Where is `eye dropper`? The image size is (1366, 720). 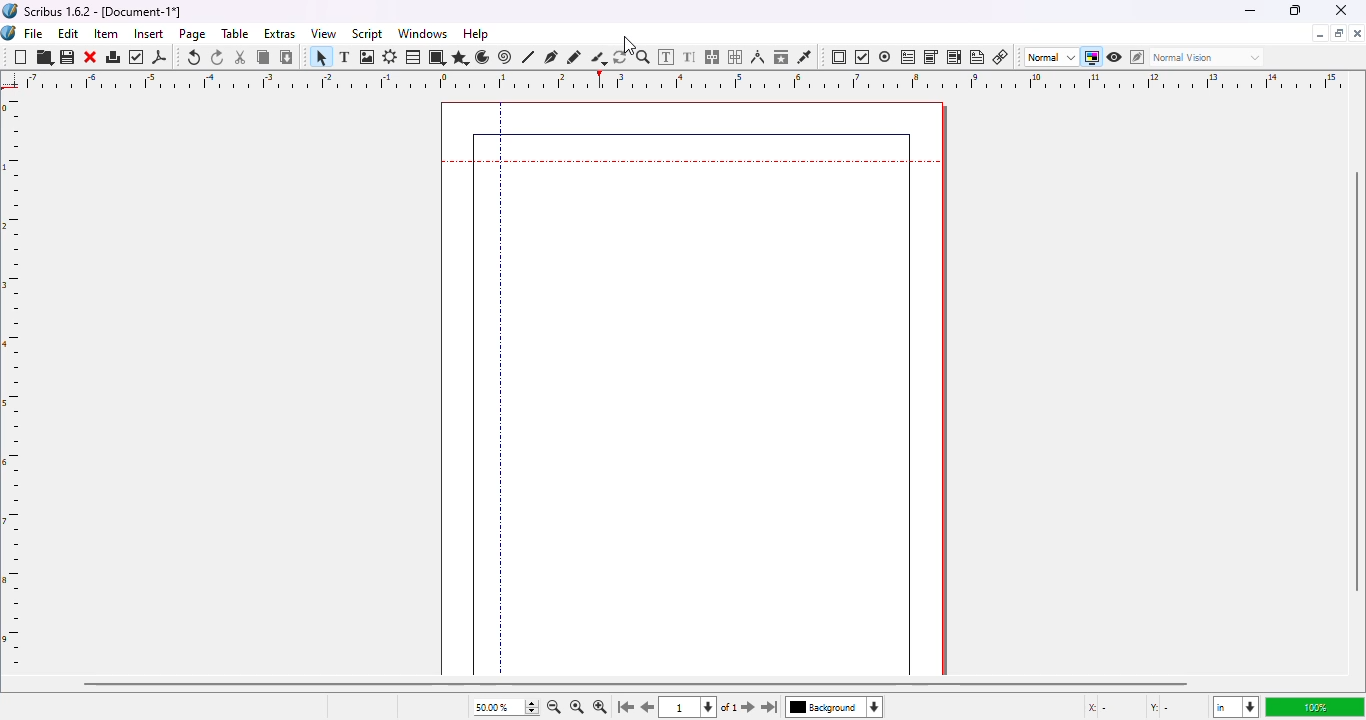
eye dropper is located at coordinates (804, 57).